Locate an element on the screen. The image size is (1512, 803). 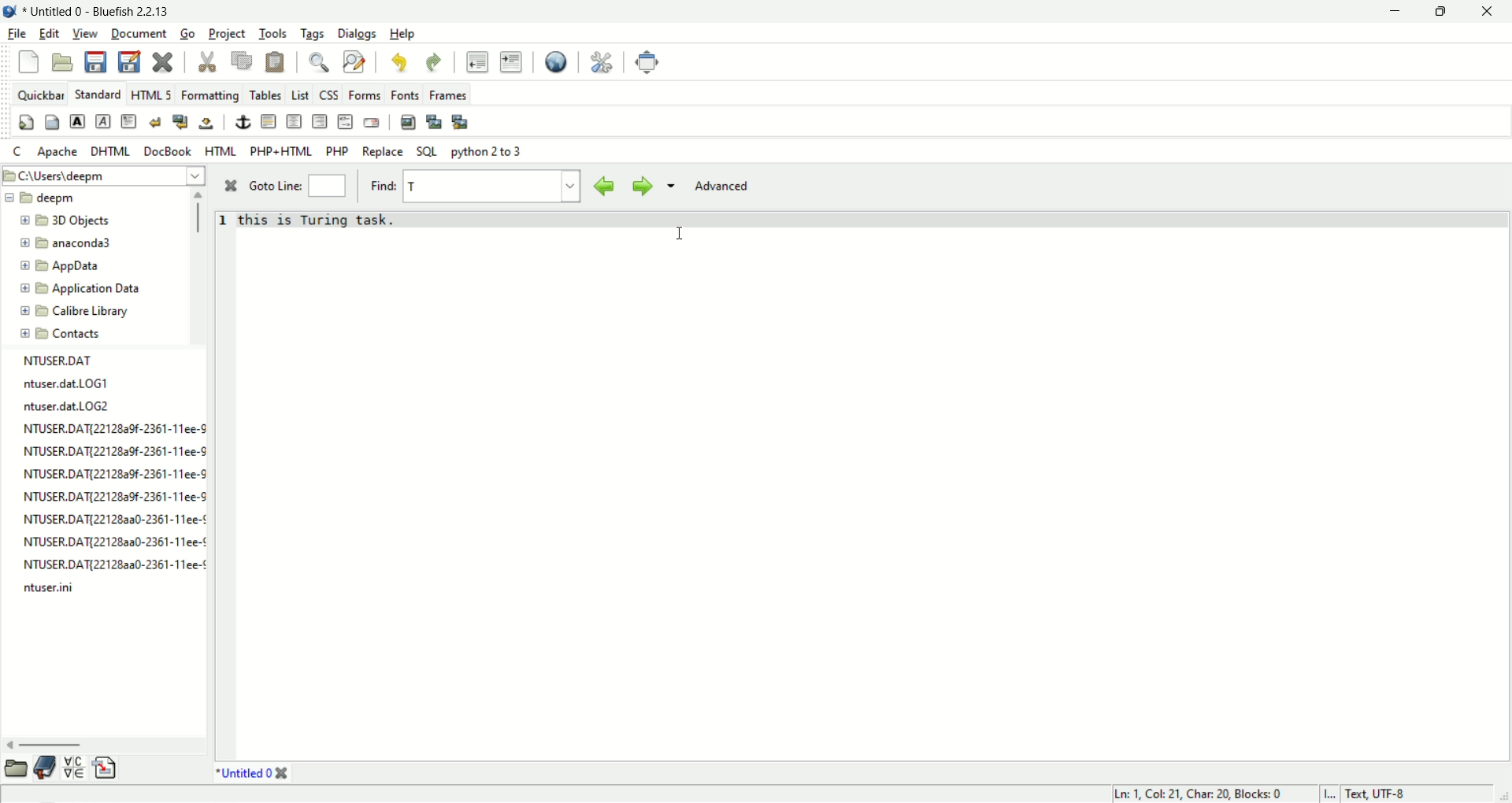
find options is located at coordinates (669, 184).